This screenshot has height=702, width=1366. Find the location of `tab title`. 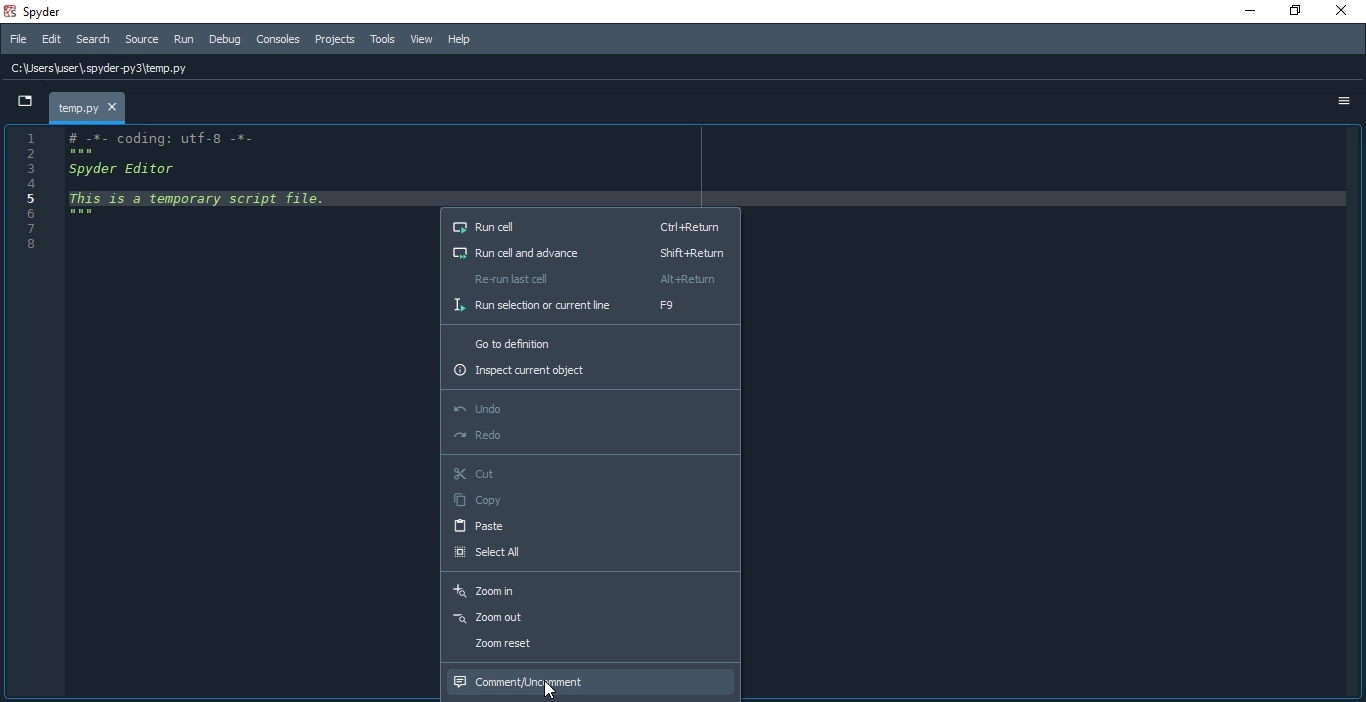

tab title is located at coordinates (87, 107).